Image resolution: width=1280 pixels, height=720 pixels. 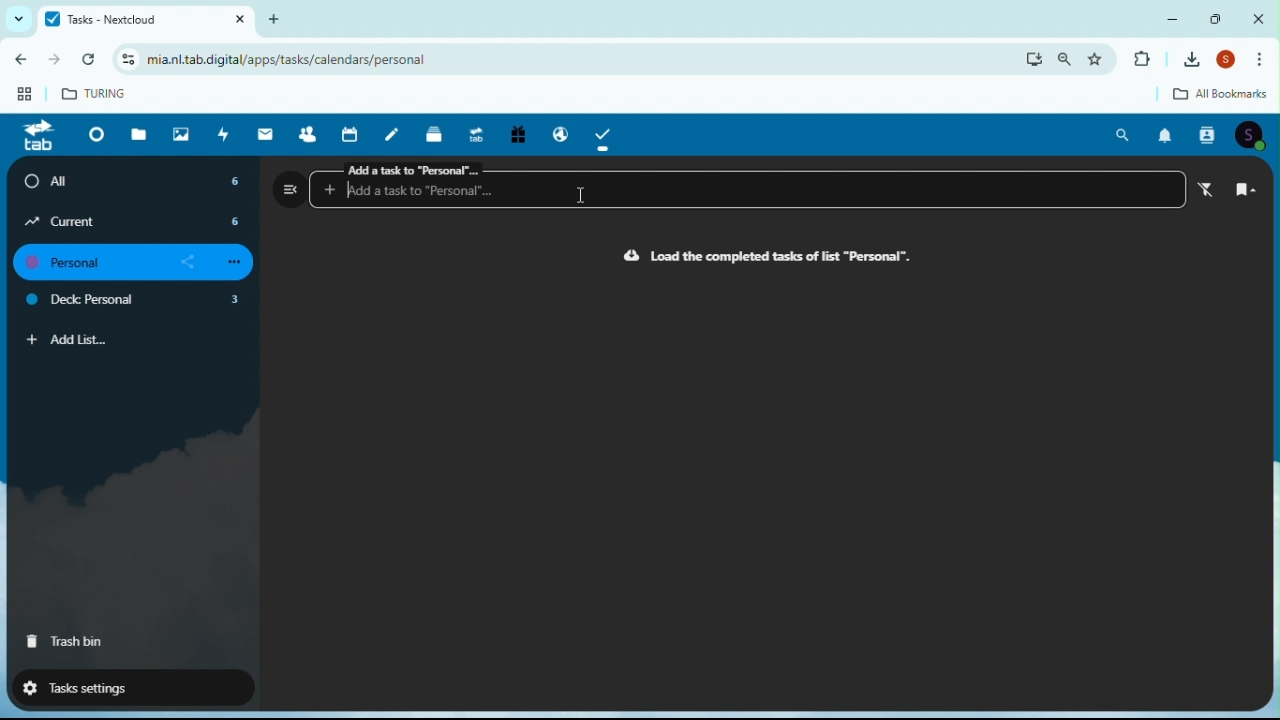 What do you see at coordinates (1177, 18) in the screenshot?
I see `Minimise` at bounding box center [1177, 18].